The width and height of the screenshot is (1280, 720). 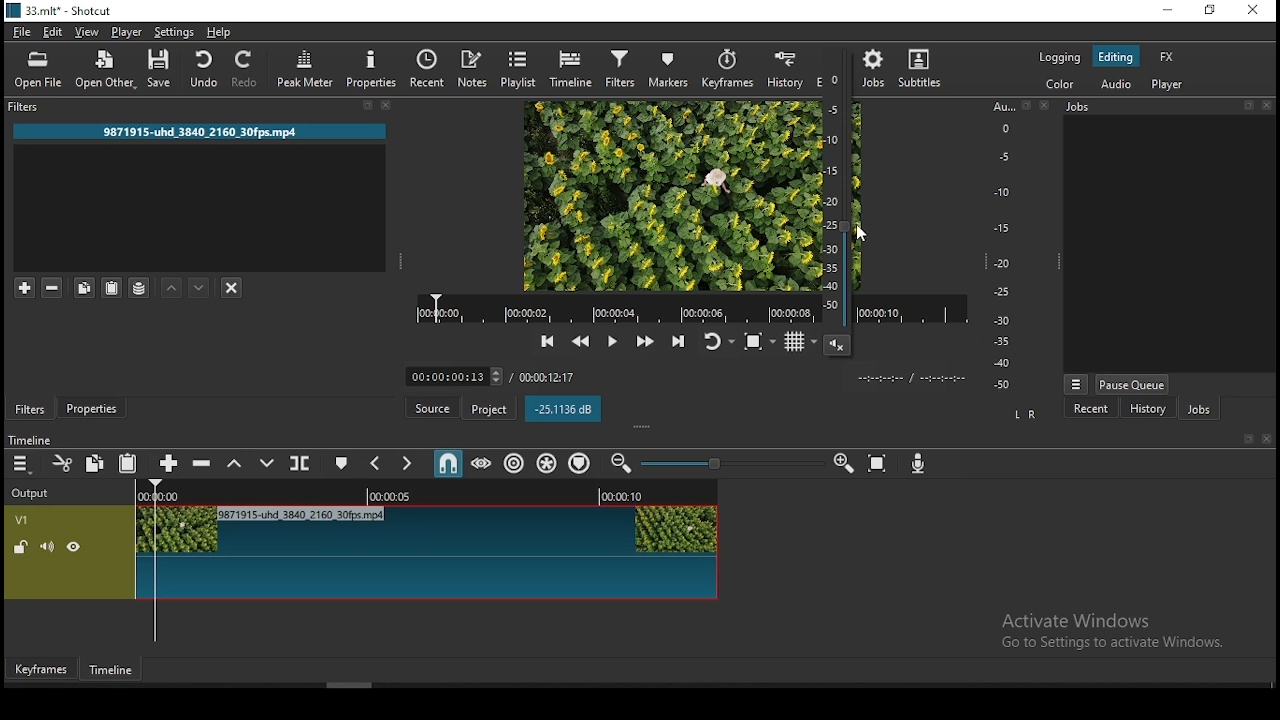 What do you see at coordinates (1027, 106) in the screenshot?
I see `bookmark` at bounding box center [1027, 106].